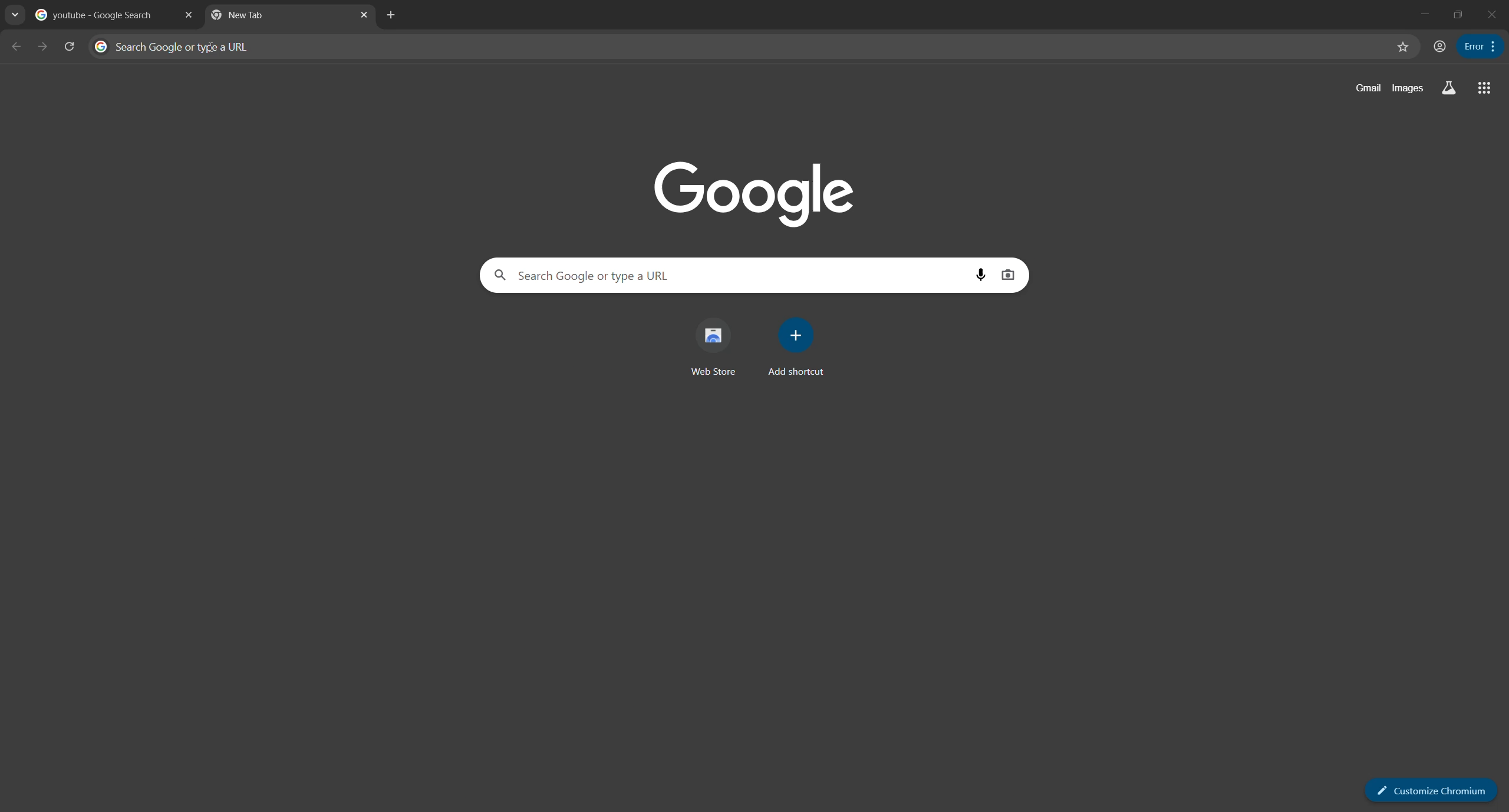  I want to click on search labs, so click(1448, 89).